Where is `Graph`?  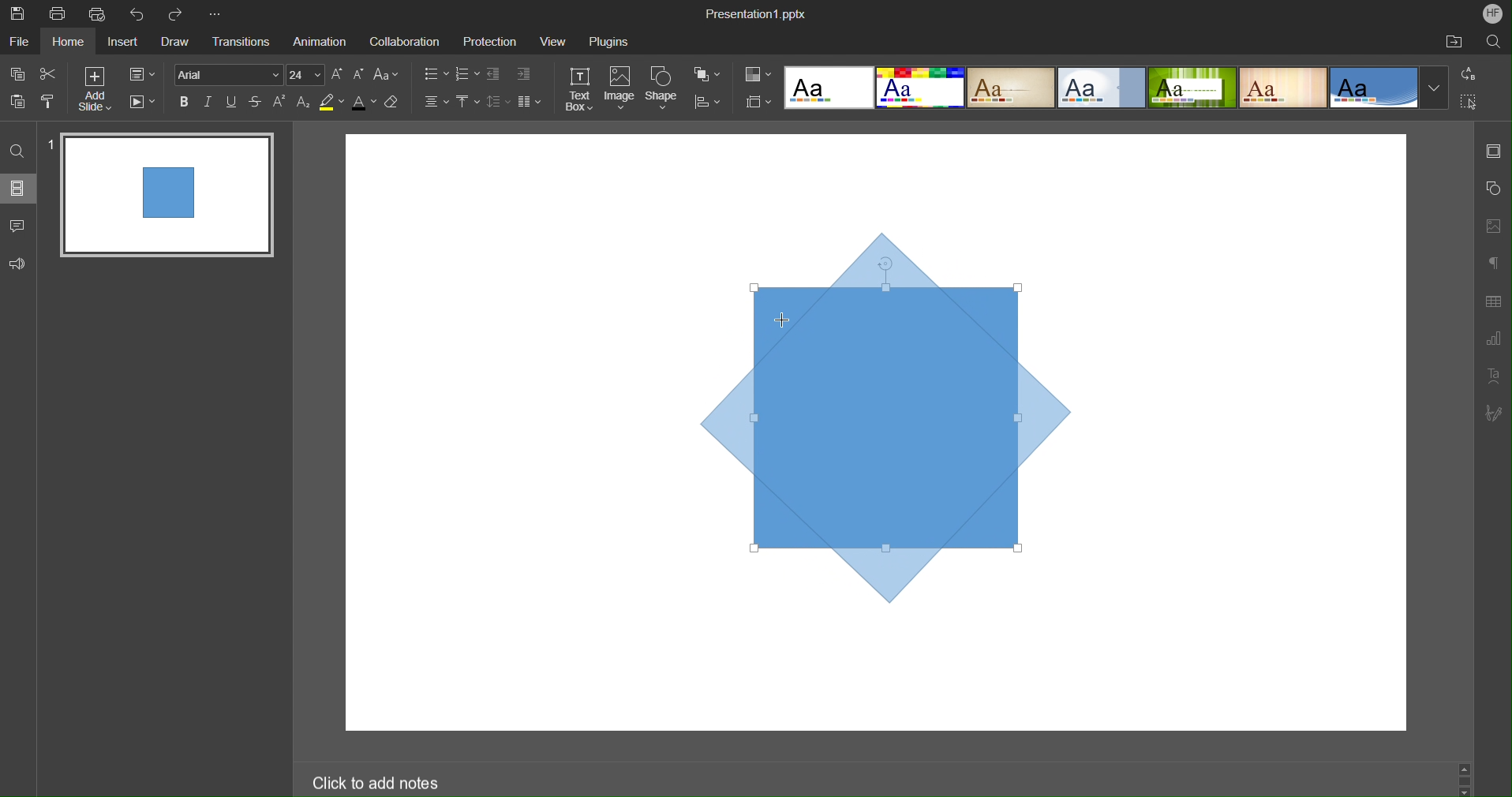 Graph is located at coordinates (1493, 341).